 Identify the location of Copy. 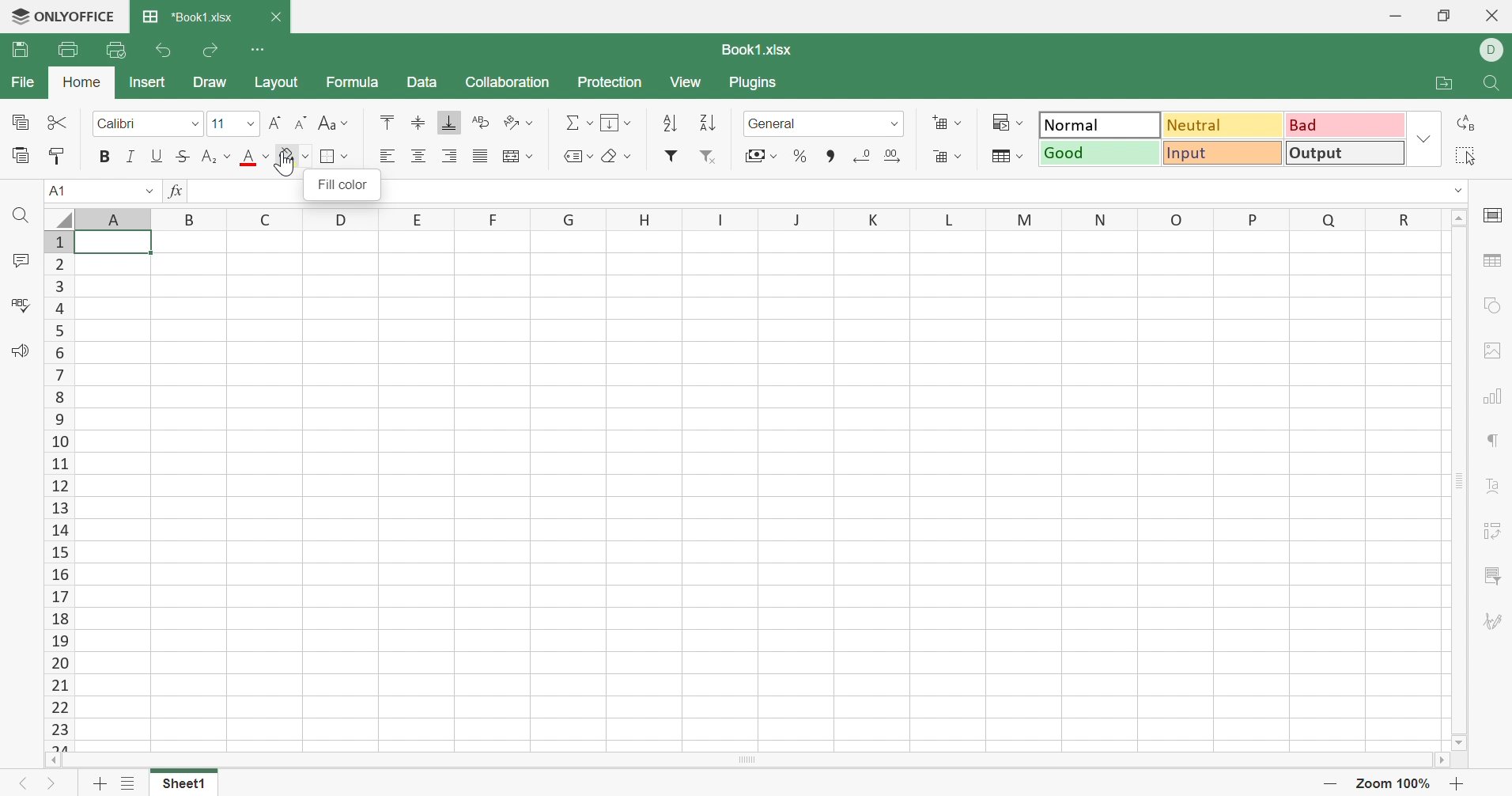
(18, 119).